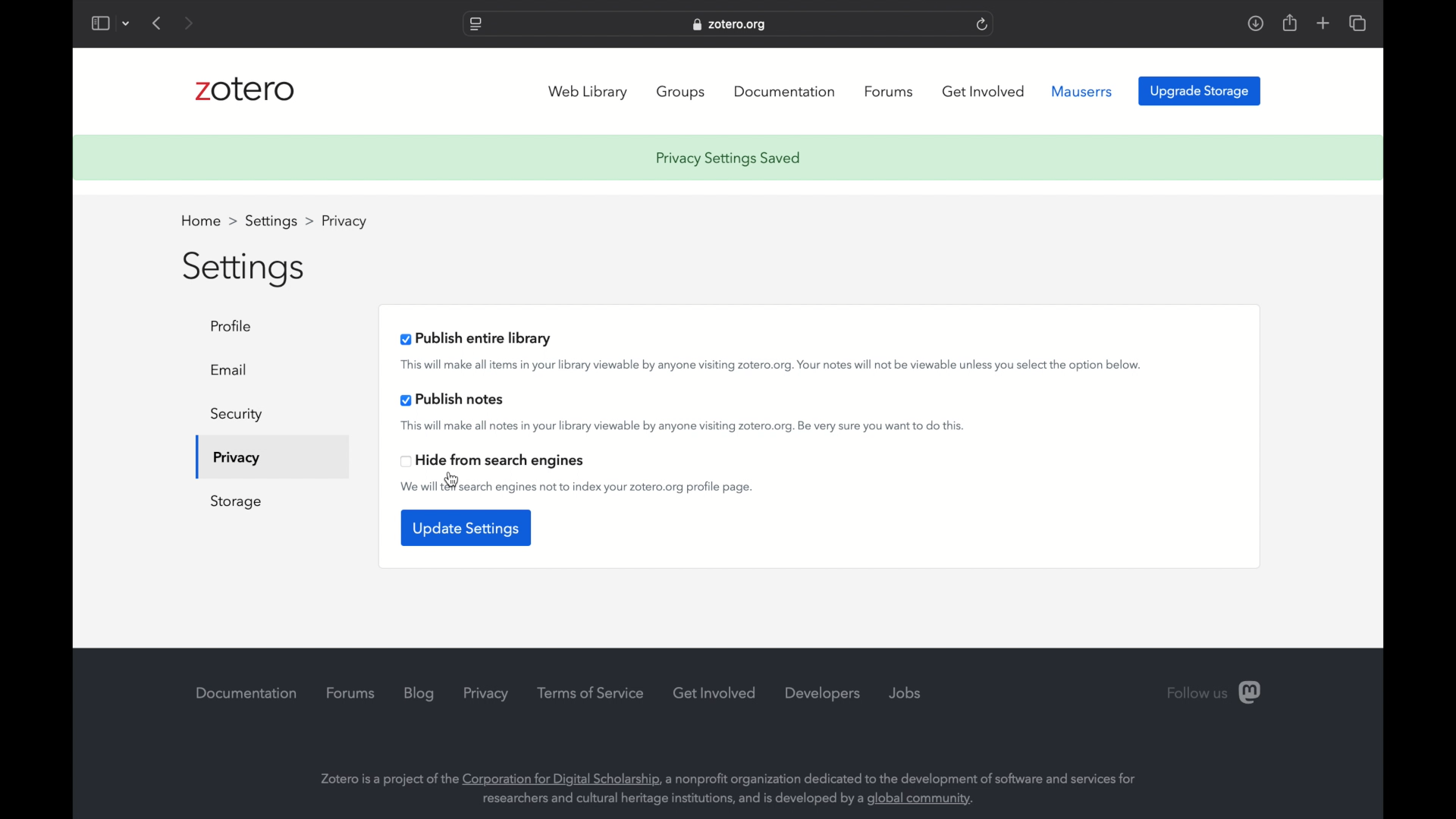 Image resolution: width=1456 pixels, height=819 pixels. I want to click on add, so click(1323, 23).